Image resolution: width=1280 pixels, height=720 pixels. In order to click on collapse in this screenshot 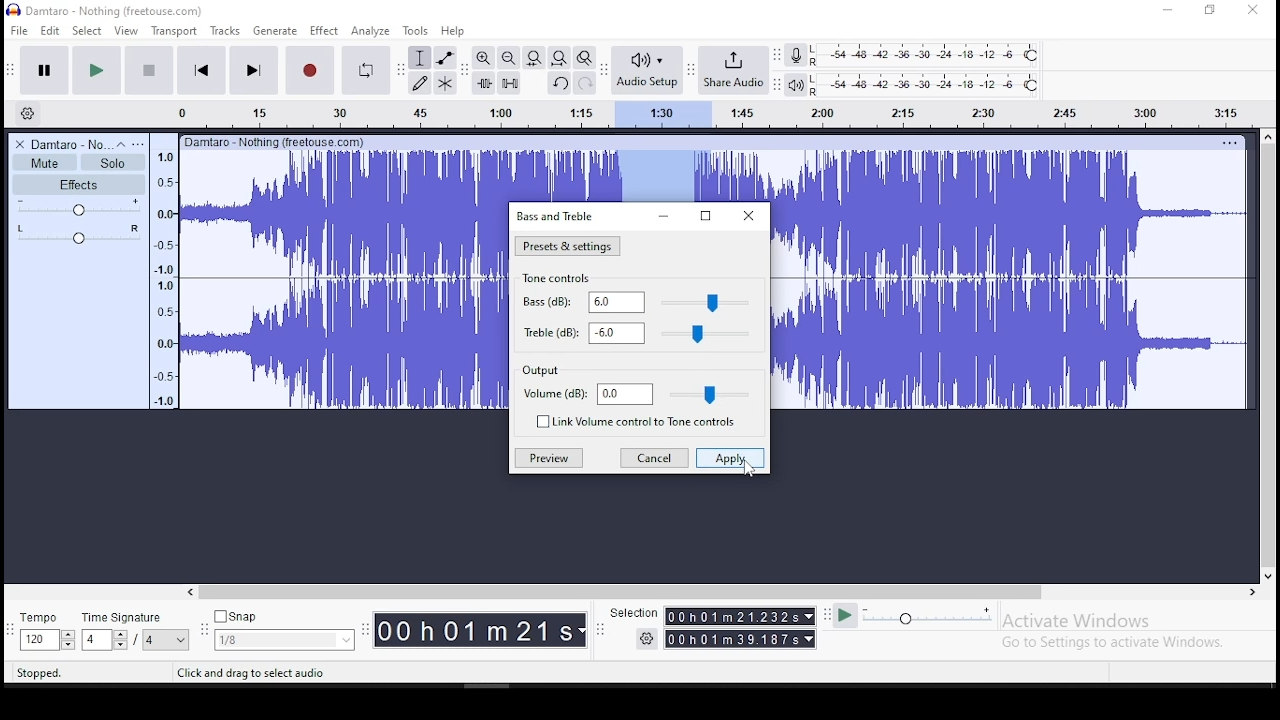, I will do `click(120, 144)`.